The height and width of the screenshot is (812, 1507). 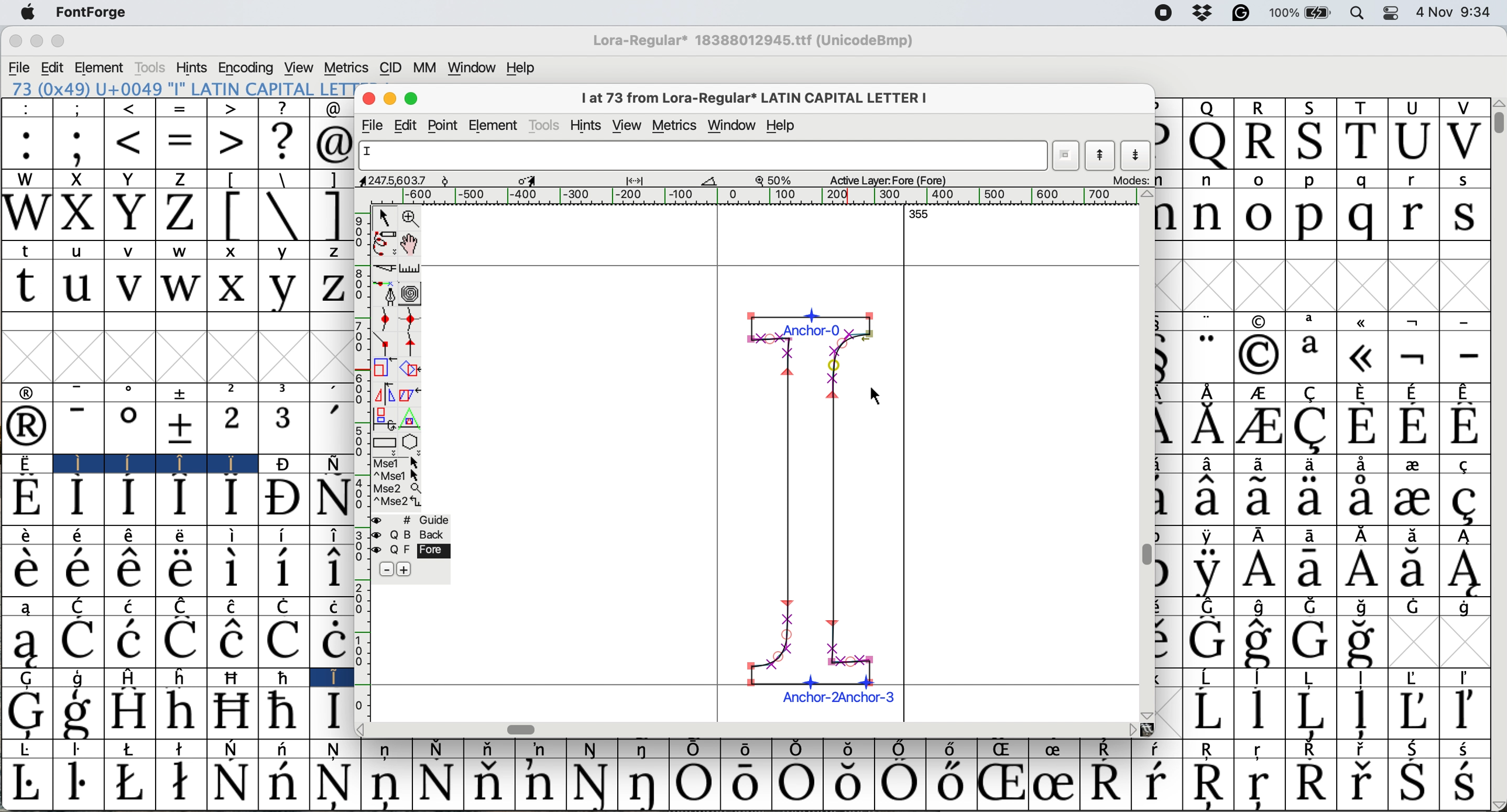 What do you see at coordinates (284, 215) in the screenshot?
I see `\` at bounding box center [284, 215].